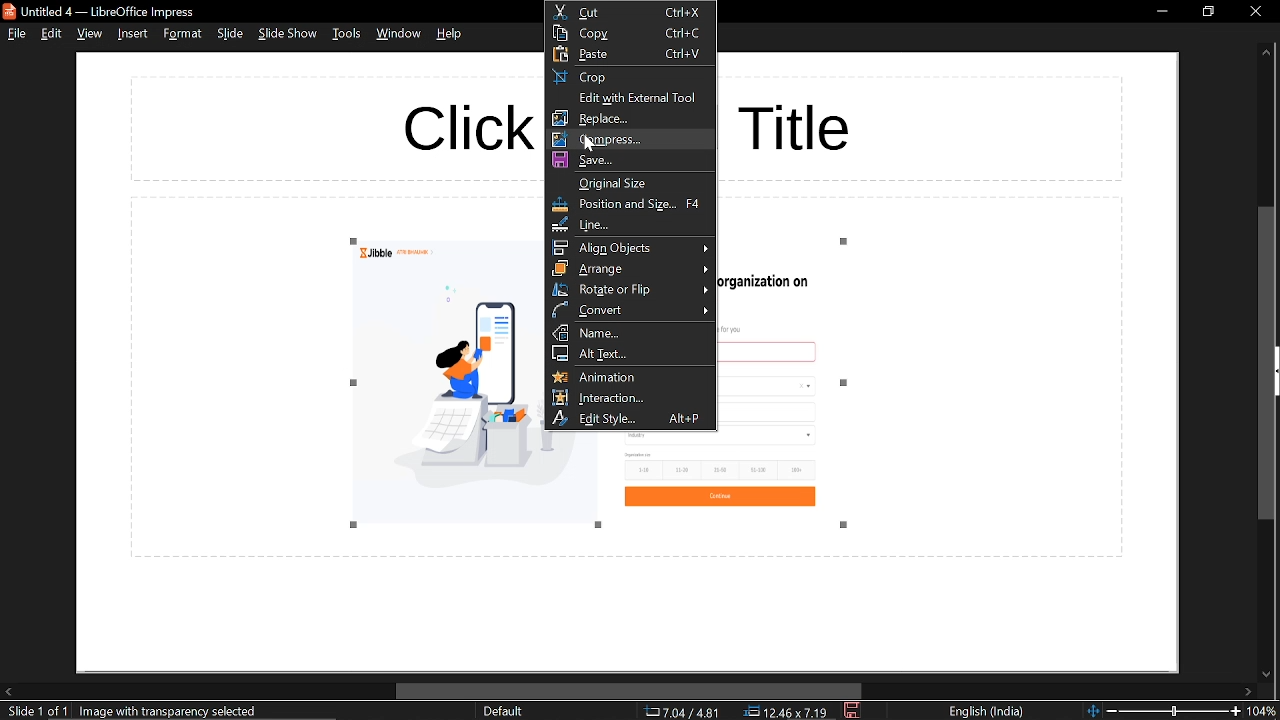 The image size is (1280, 720). What do you see at coordinates (686, 52) in the screenshot?
I see `ctrl+V` at bounding box center [686, 52].